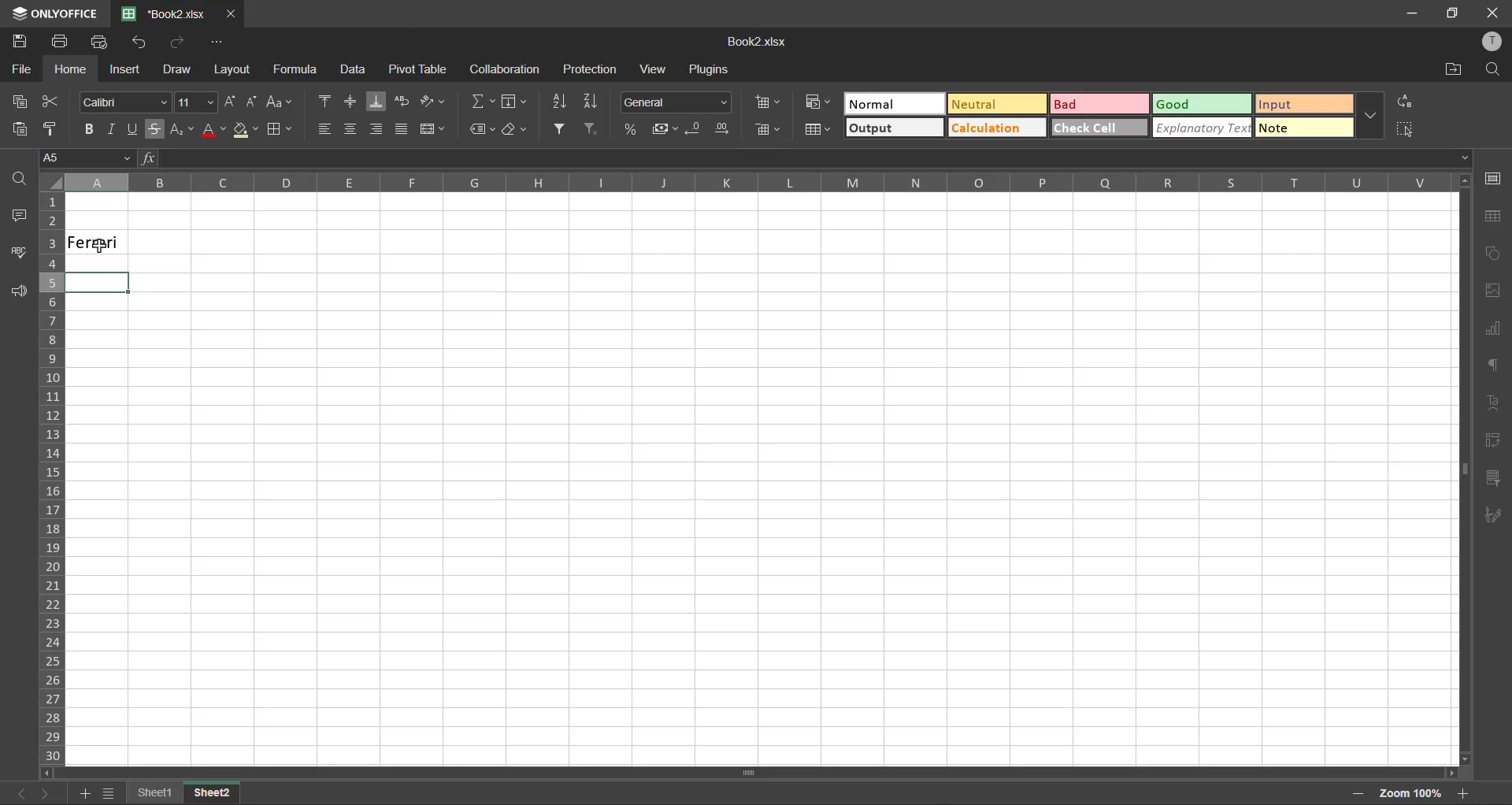 This screenshot has width=1512, height=805. What do you see at coordinates (481, 99) in the screenshot?
I see `summation` at bounding box center [481, 99].